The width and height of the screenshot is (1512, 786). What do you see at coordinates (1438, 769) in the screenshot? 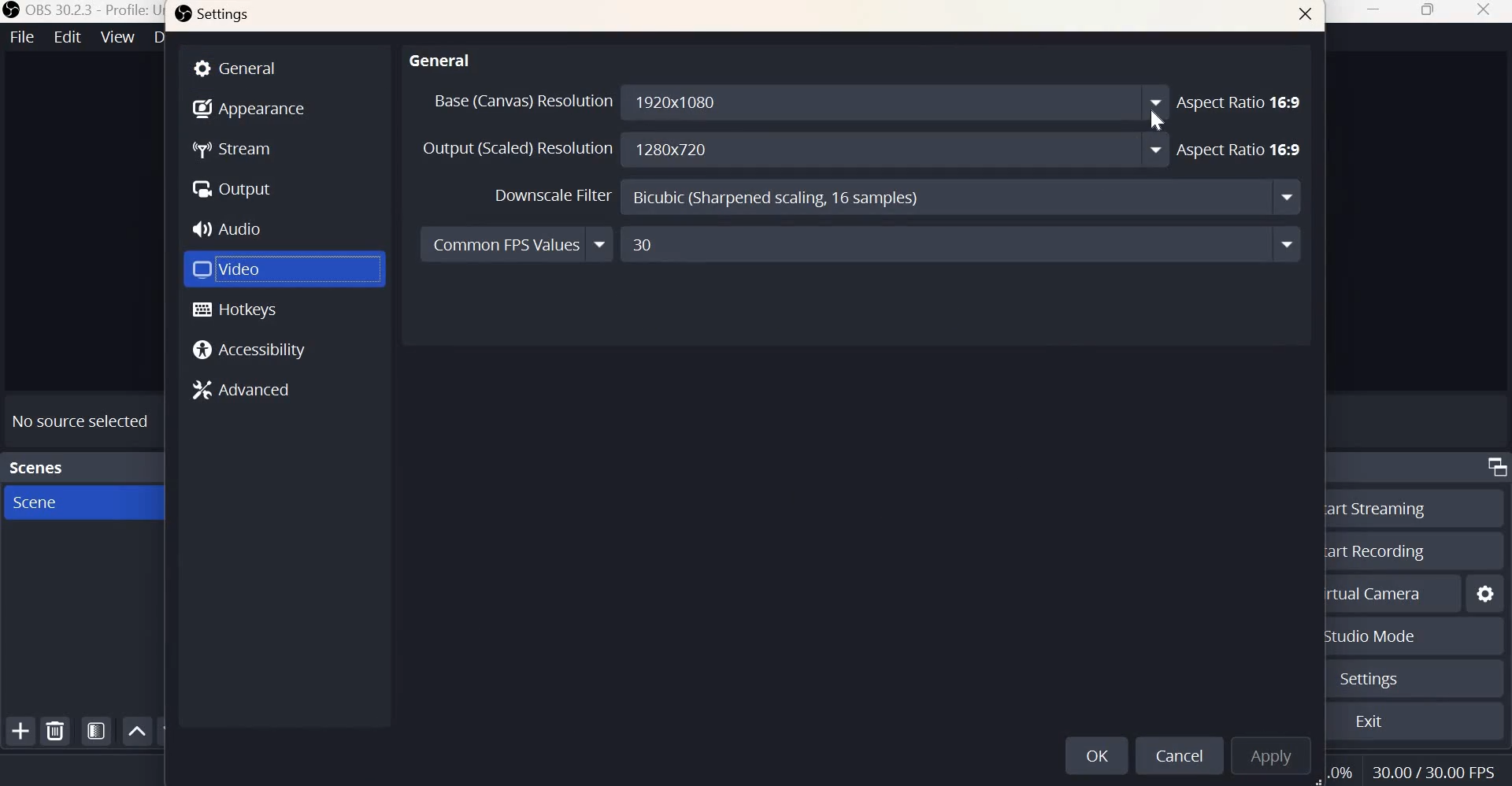
I see `Frame Rate (FPS)` at bounding box center [1438, 769].